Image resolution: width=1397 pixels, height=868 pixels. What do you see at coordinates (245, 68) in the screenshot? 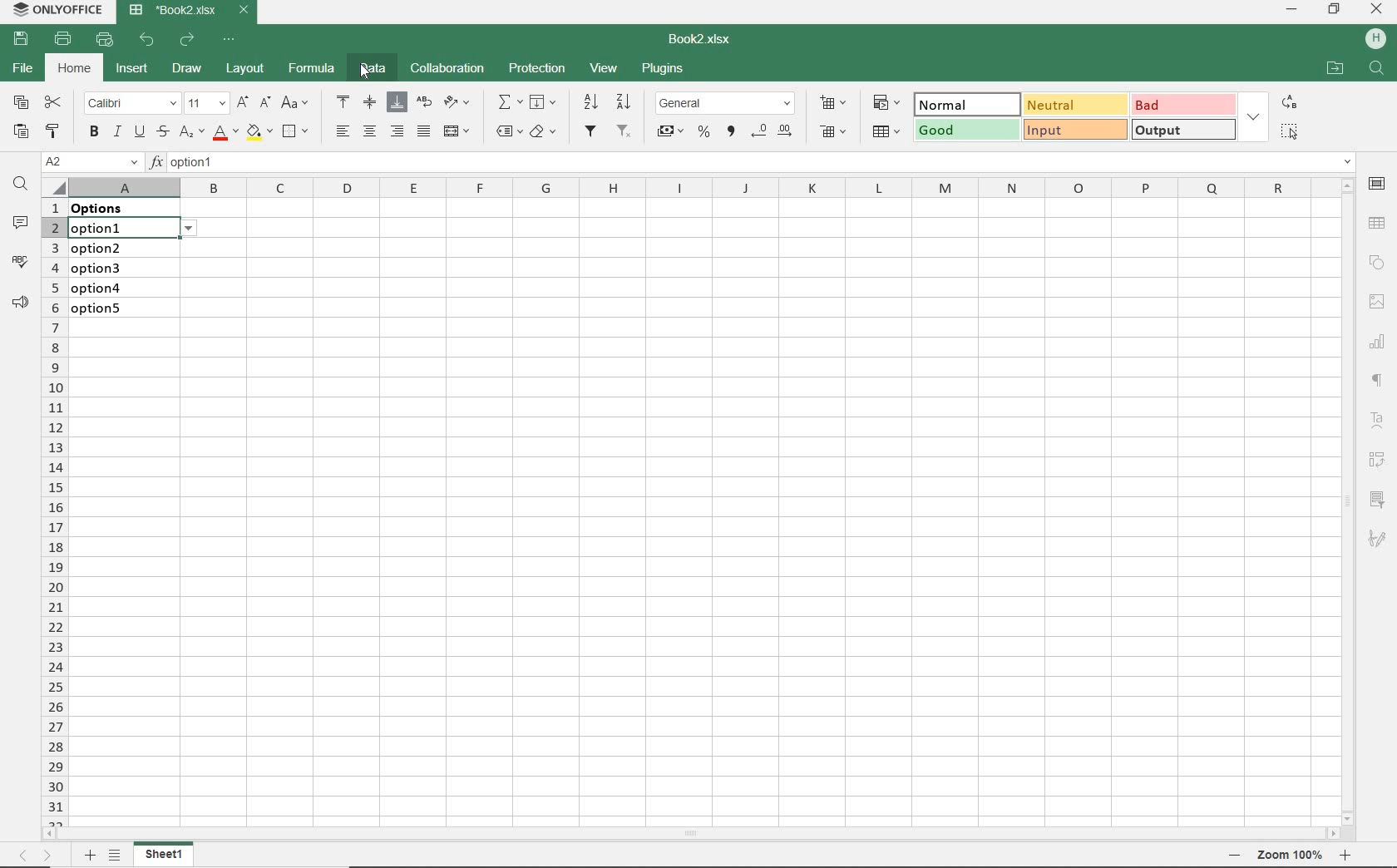
I see `LAYOUT` at bounding box center [245, 68].